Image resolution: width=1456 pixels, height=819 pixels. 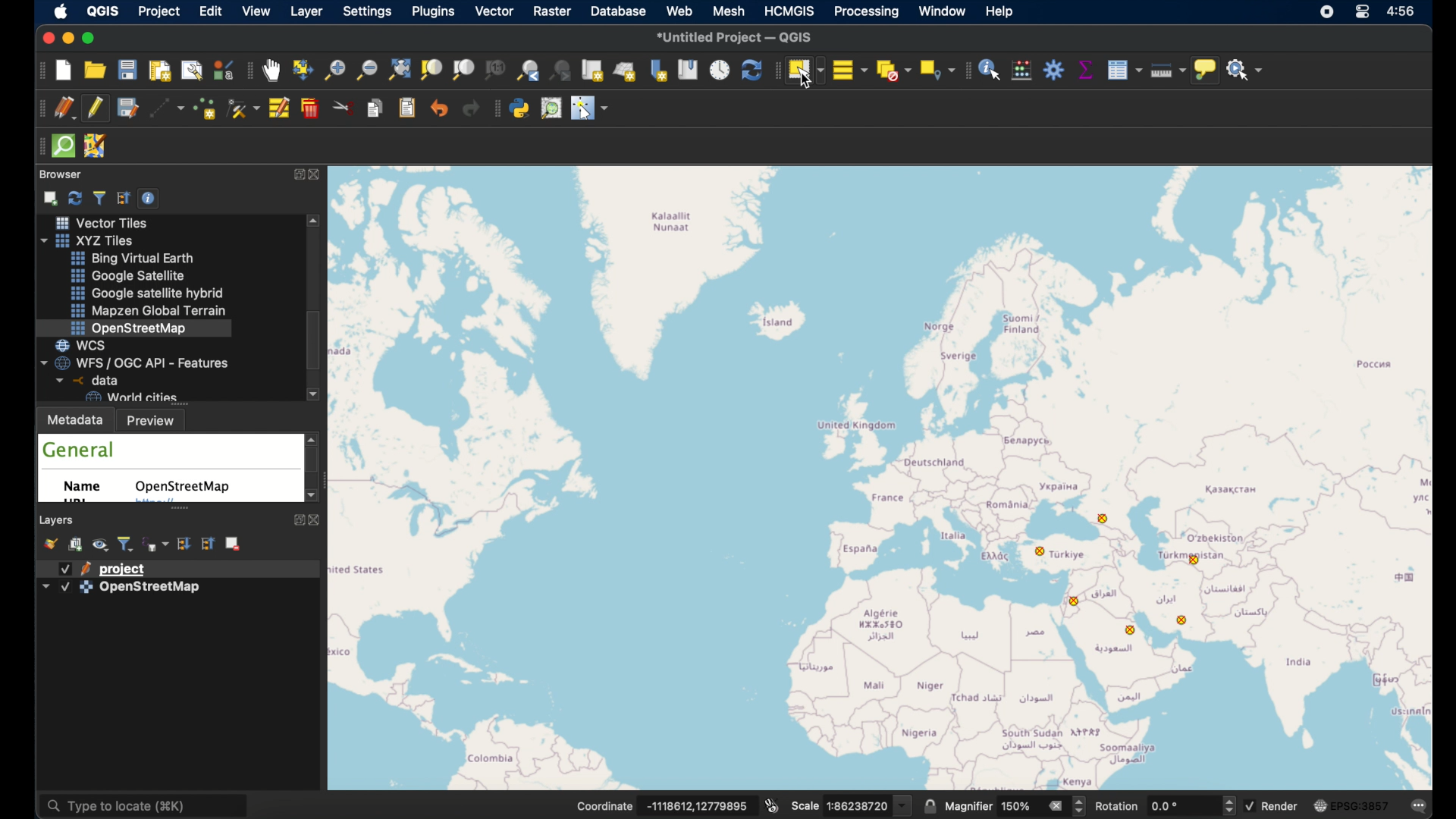 I want to click on openstreetmap, so click(x=186, y=487).